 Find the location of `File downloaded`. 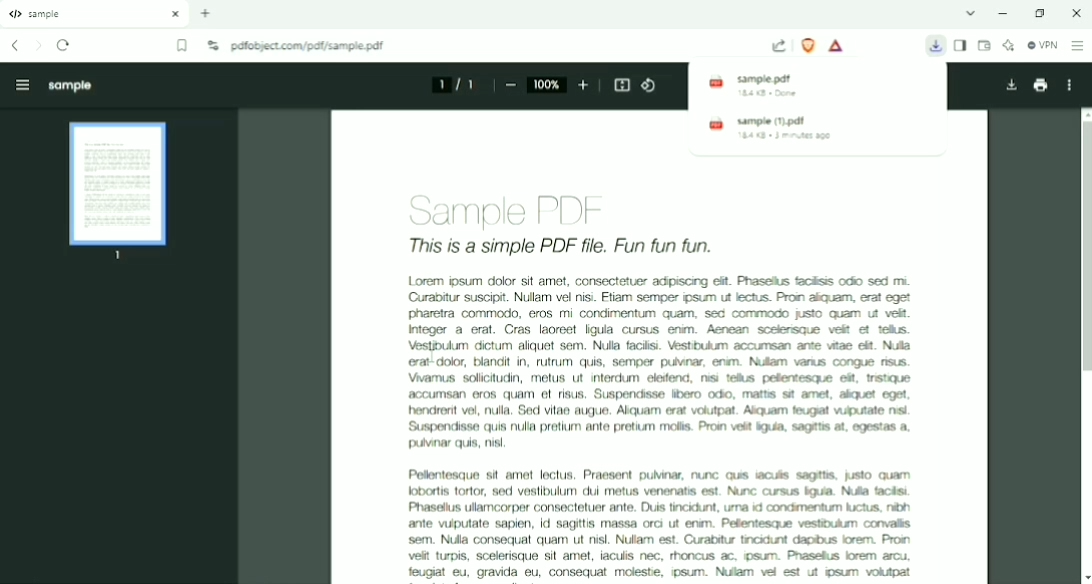

File downloaded is located at coordinates (936, 45).